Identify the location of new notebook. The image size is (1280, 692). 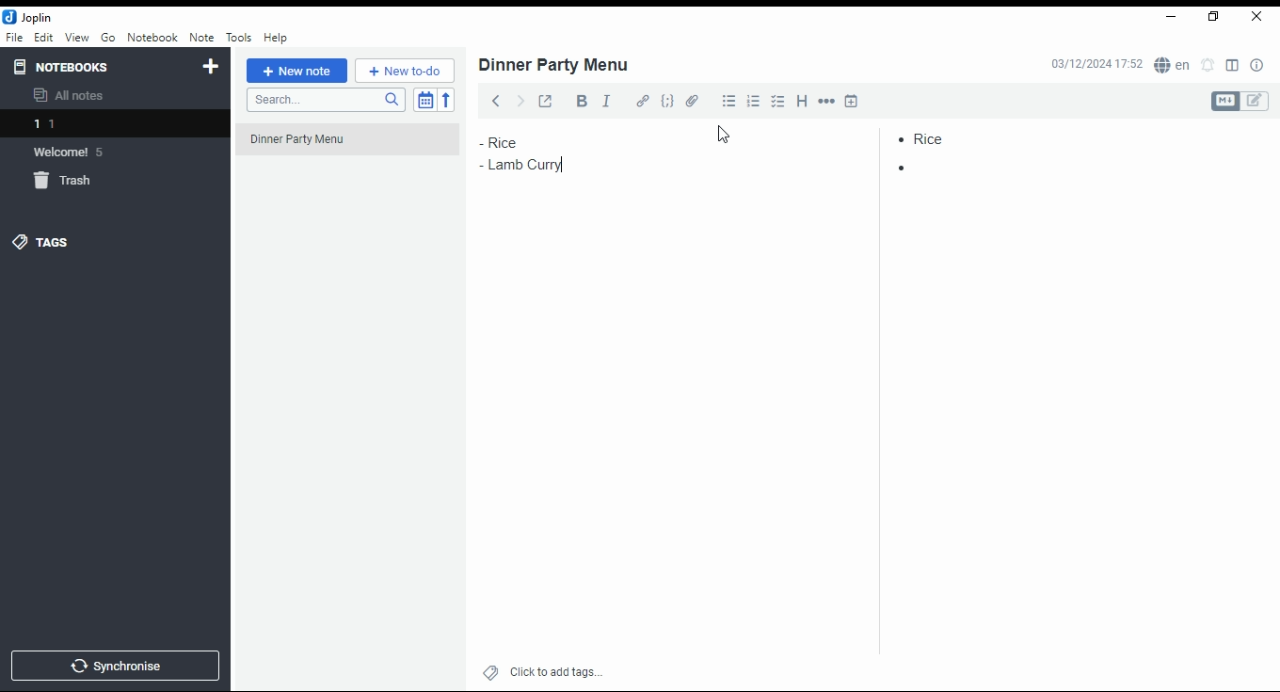
(211, 67).